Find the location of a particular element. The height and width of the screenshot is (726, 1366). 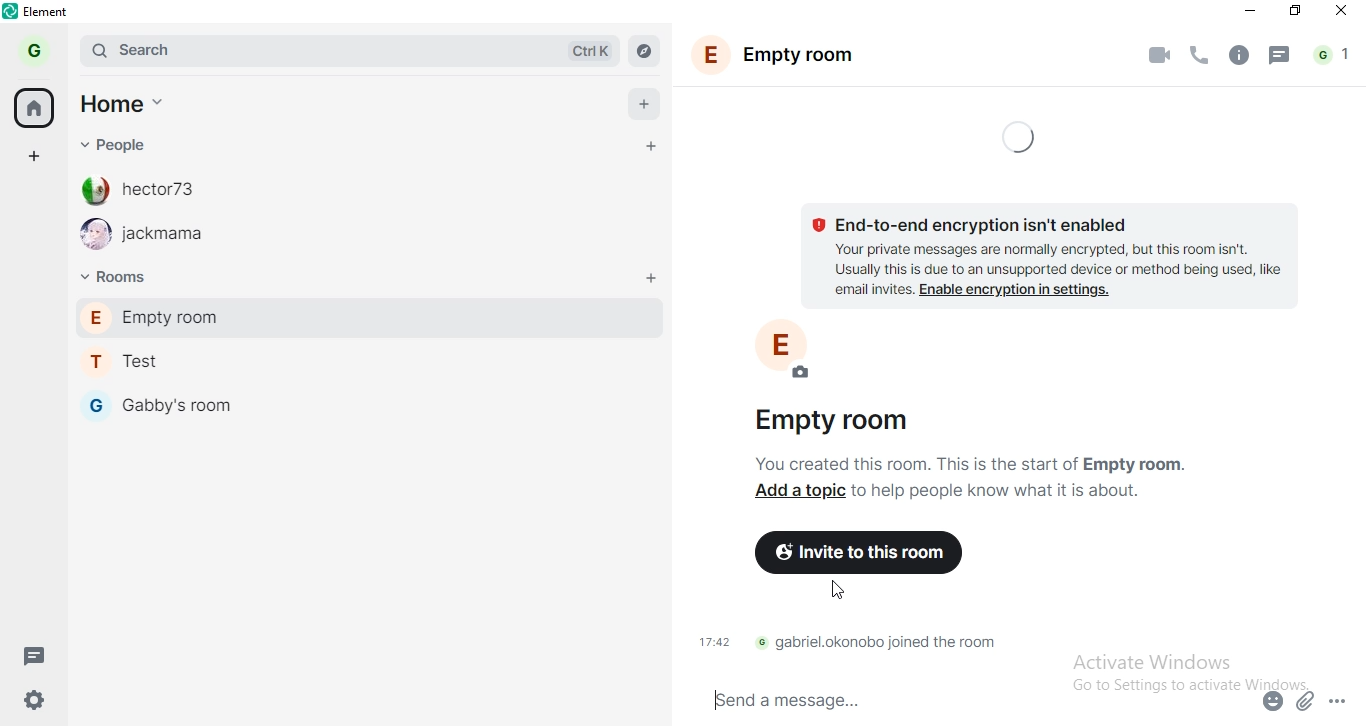

close is located at coordinates (1344, 14).